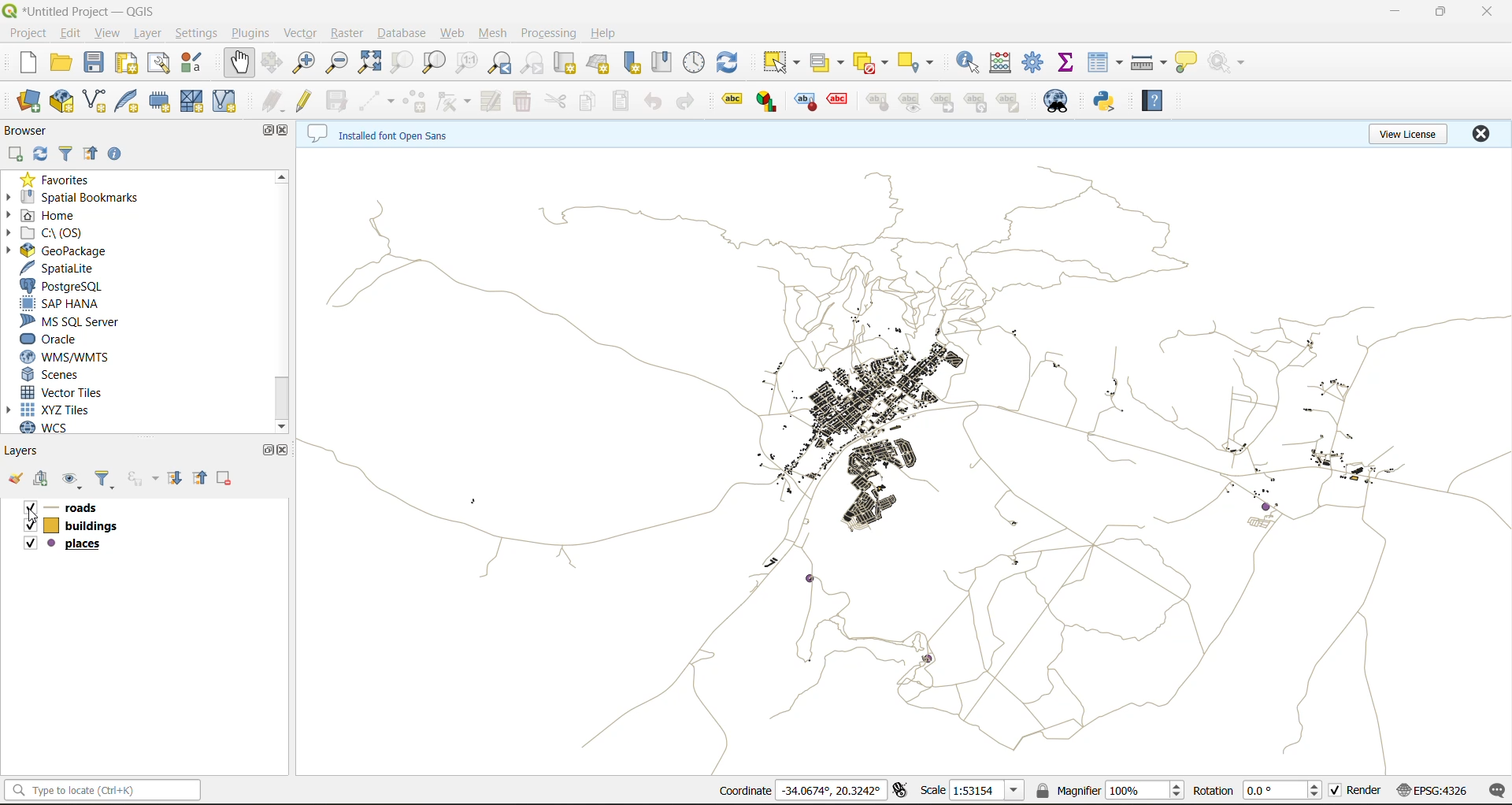 Image resolution: width=1512 pixels, height=805 pixels. I want to click on filter, so click(105, 477).